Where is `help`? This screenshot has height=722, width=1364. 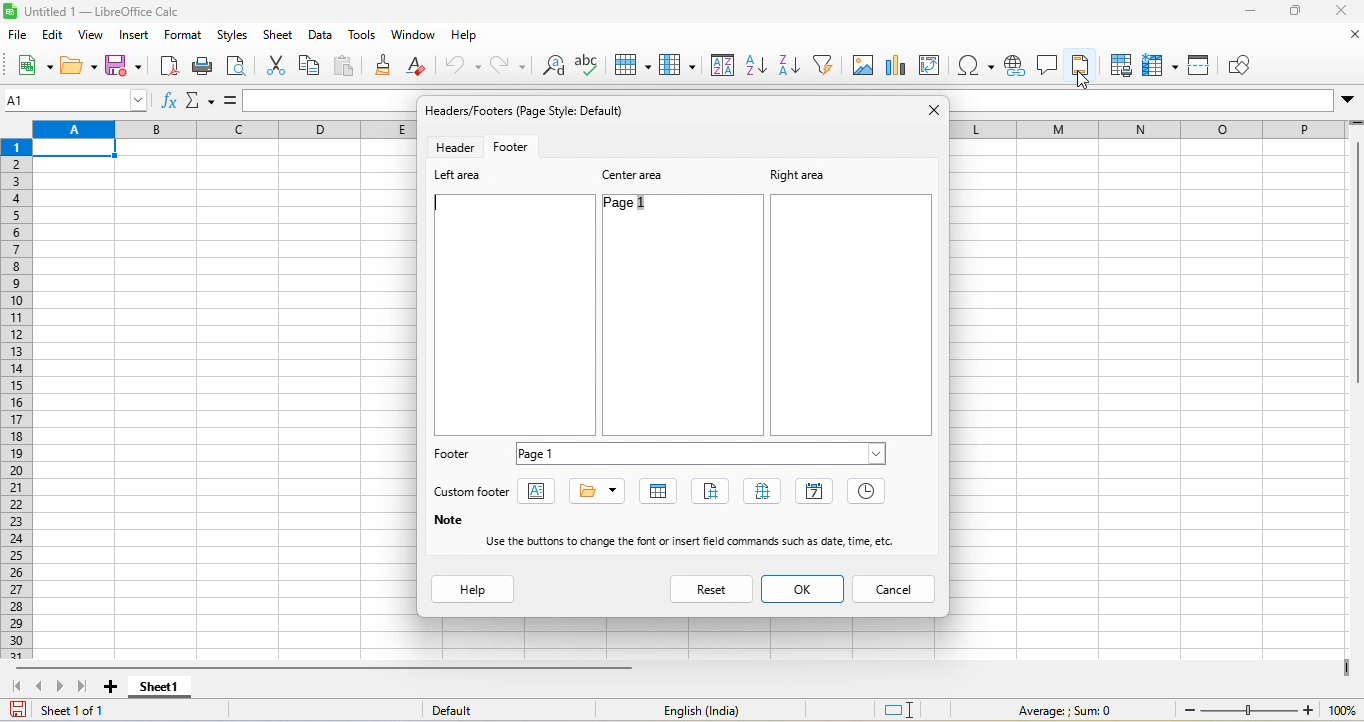
help is located at coordinates (474, 590).